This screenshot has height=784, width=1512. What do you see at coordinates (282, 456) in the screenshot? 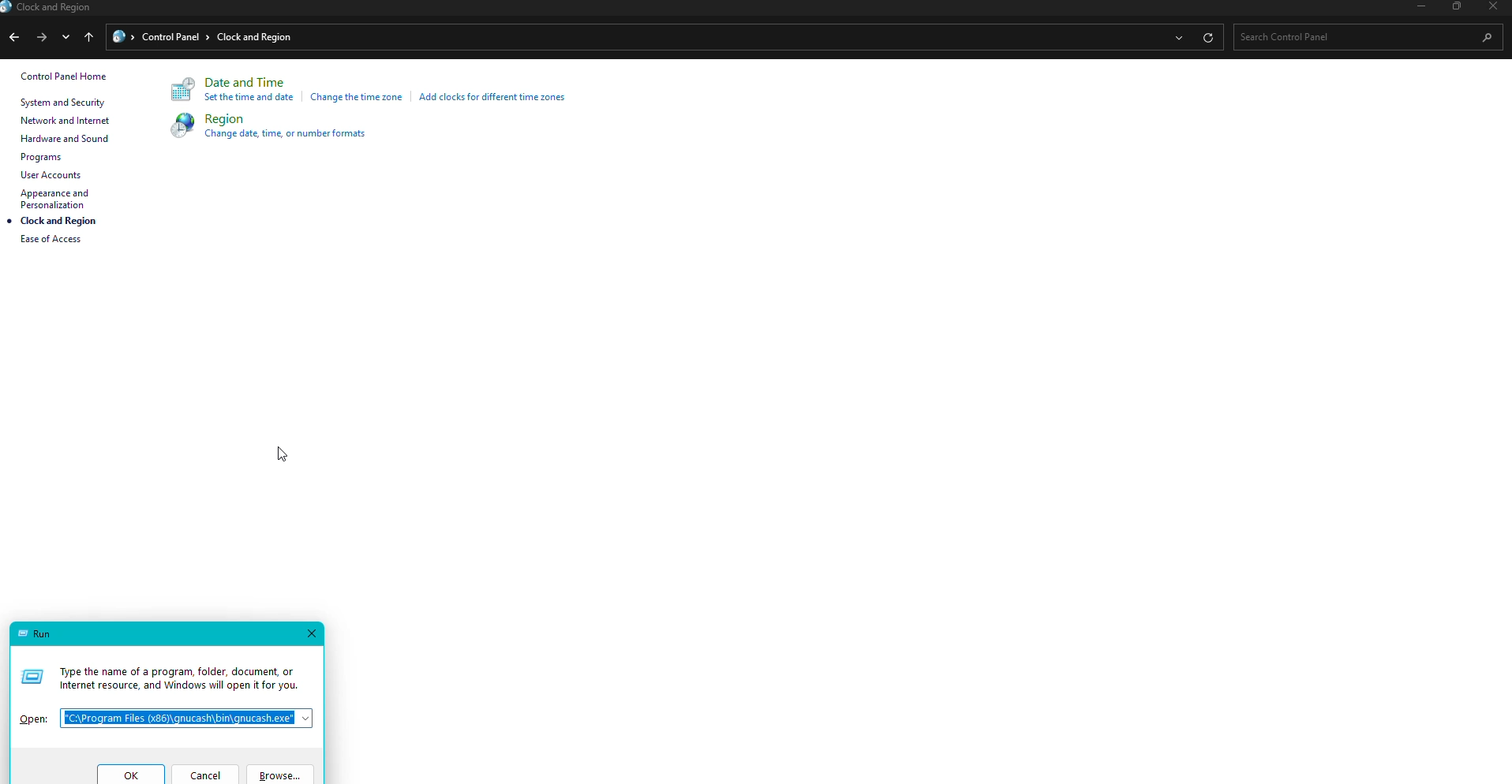
I see `cursor` at bounding box center [282, 456].